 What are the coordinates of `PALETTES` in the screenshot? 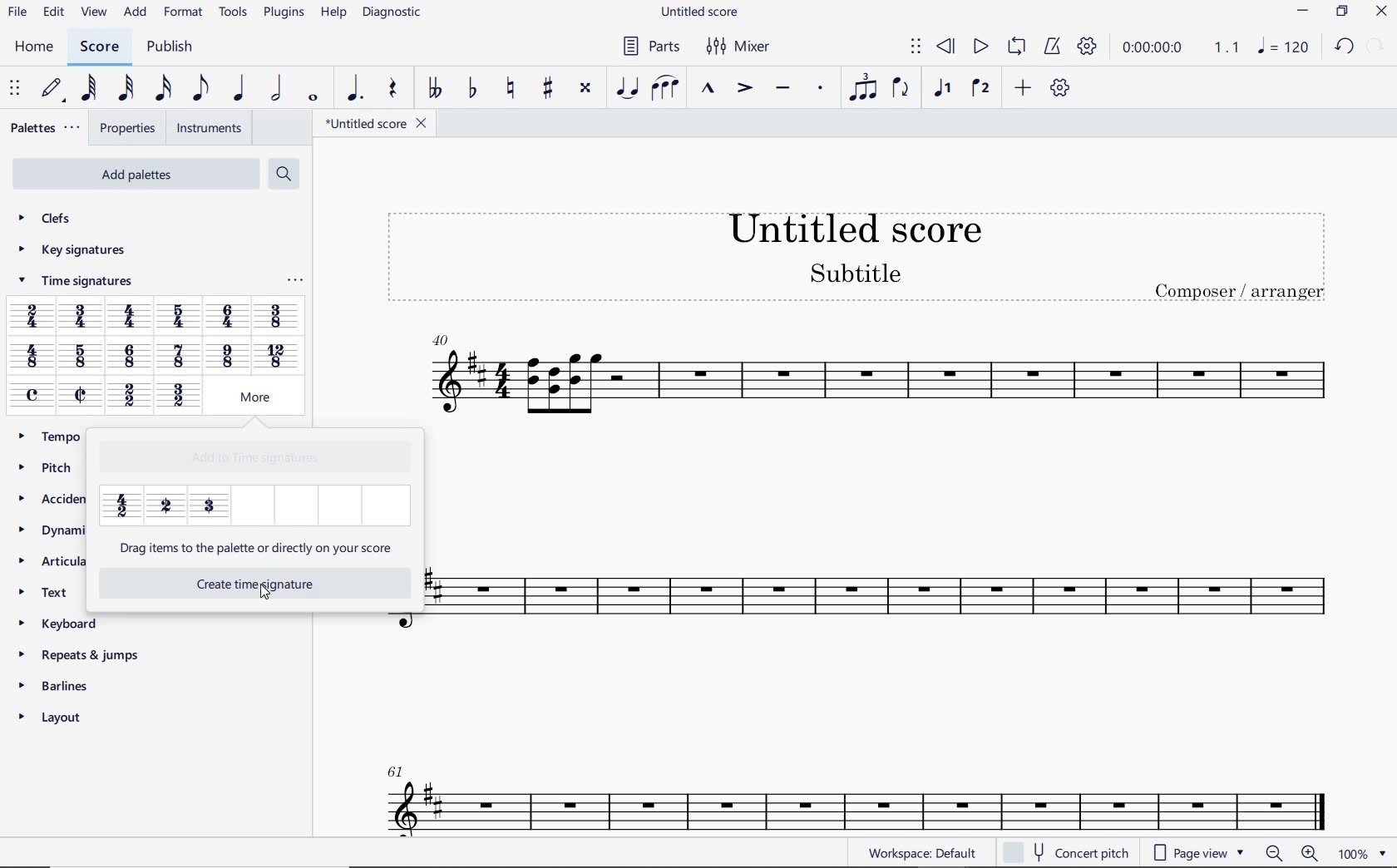 It's located at (46, 128).